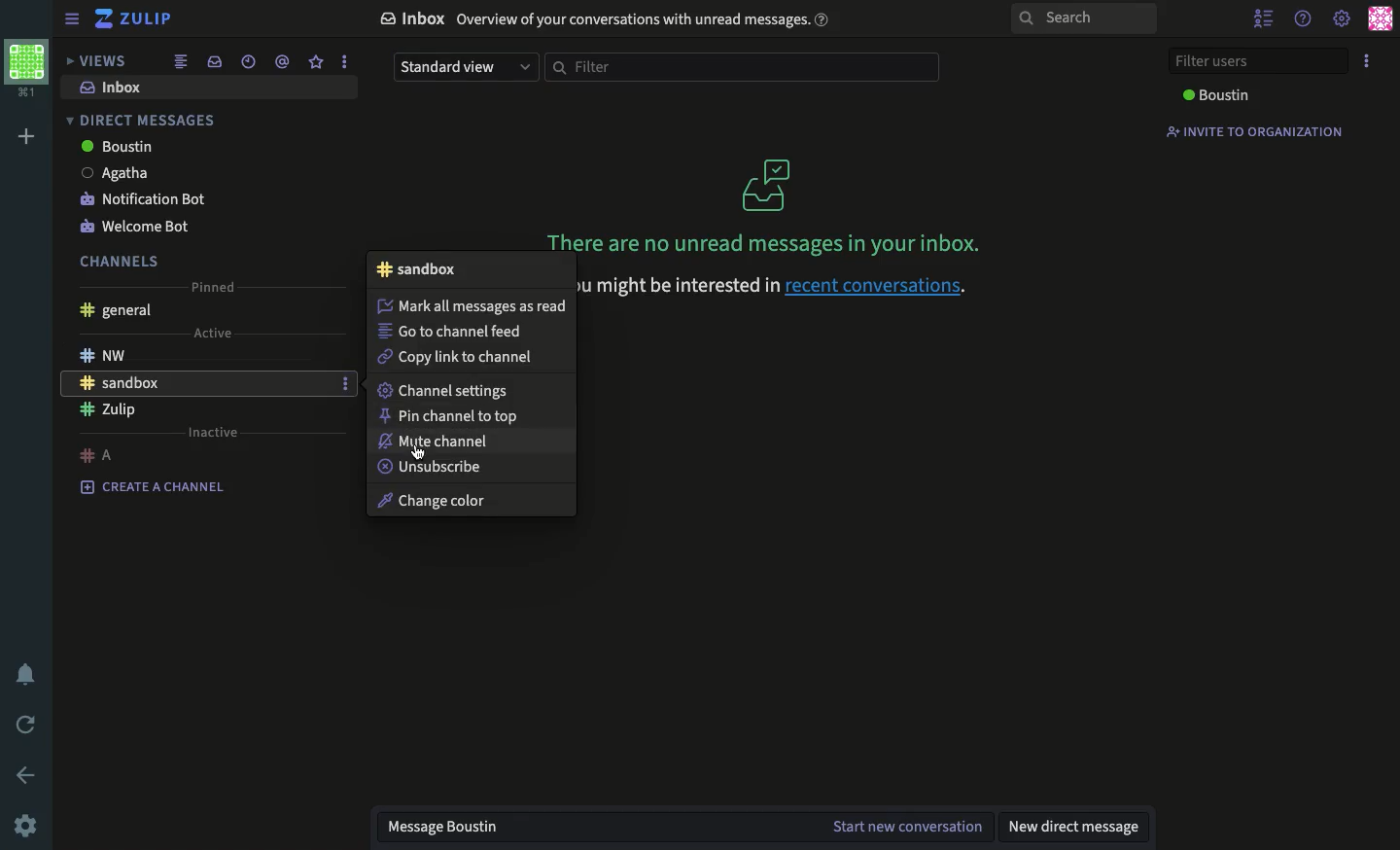 Image resolution: width=1400 pixels, height=850 pixels. Describe the element at coordinates (472, 306) in the screenshot. I see `mark all messages as read` at that location.